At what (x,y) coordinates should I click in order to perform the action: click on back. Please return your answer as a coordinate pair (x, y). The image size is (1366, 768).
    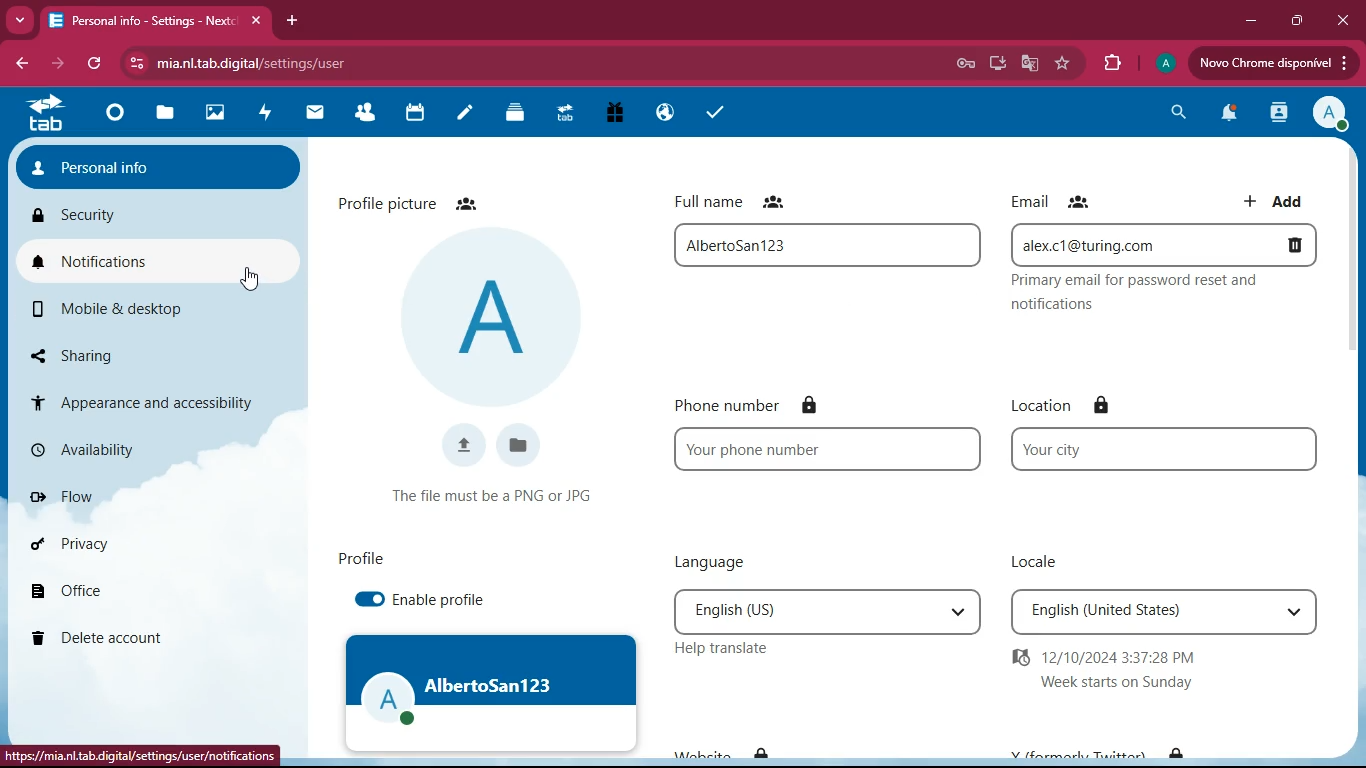
    Looking at the image, I should click on (23, 66).